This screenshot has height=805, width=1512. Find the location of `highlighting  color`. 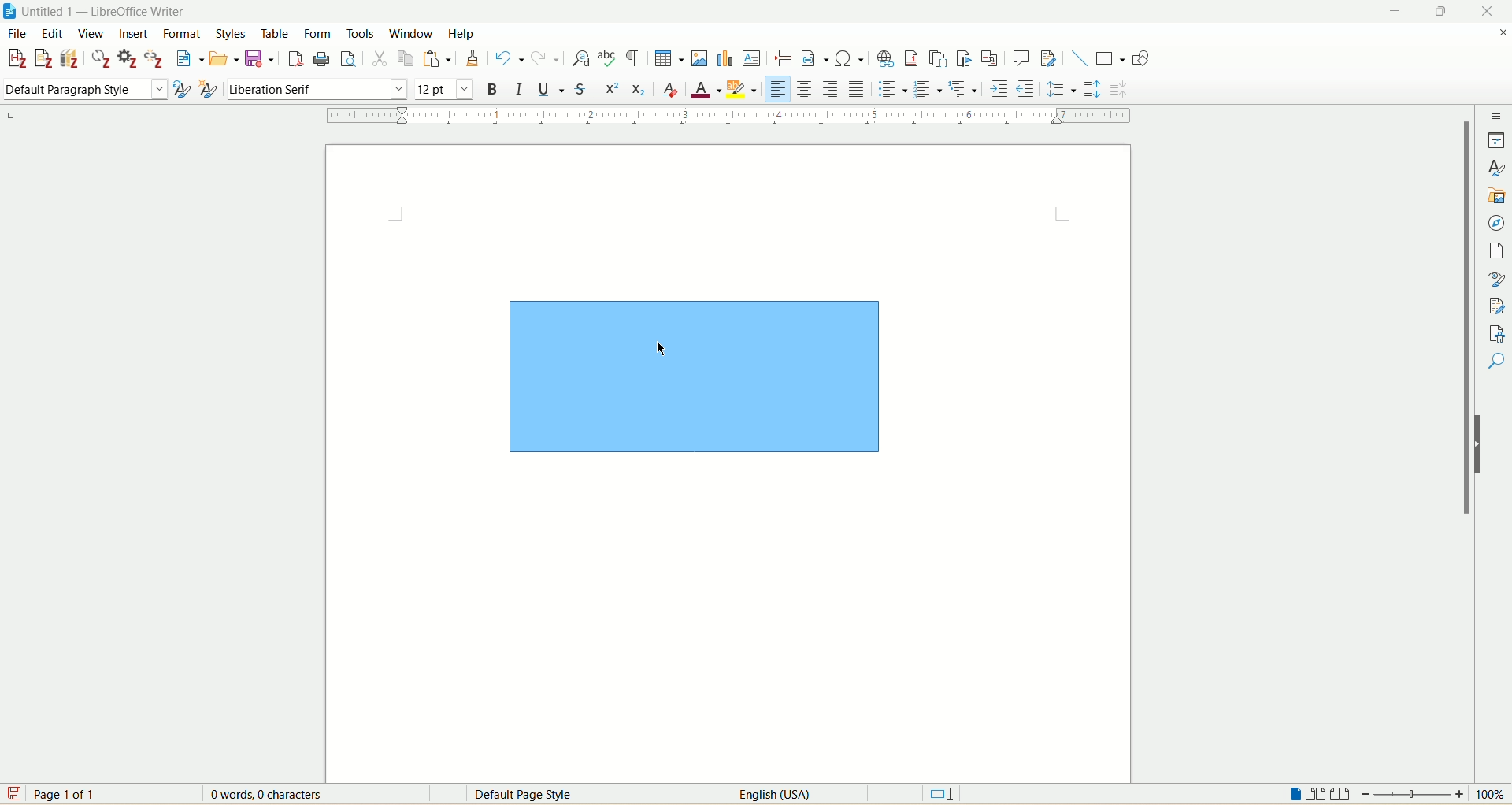

highlighting  color is located at coordinates (743, 88).